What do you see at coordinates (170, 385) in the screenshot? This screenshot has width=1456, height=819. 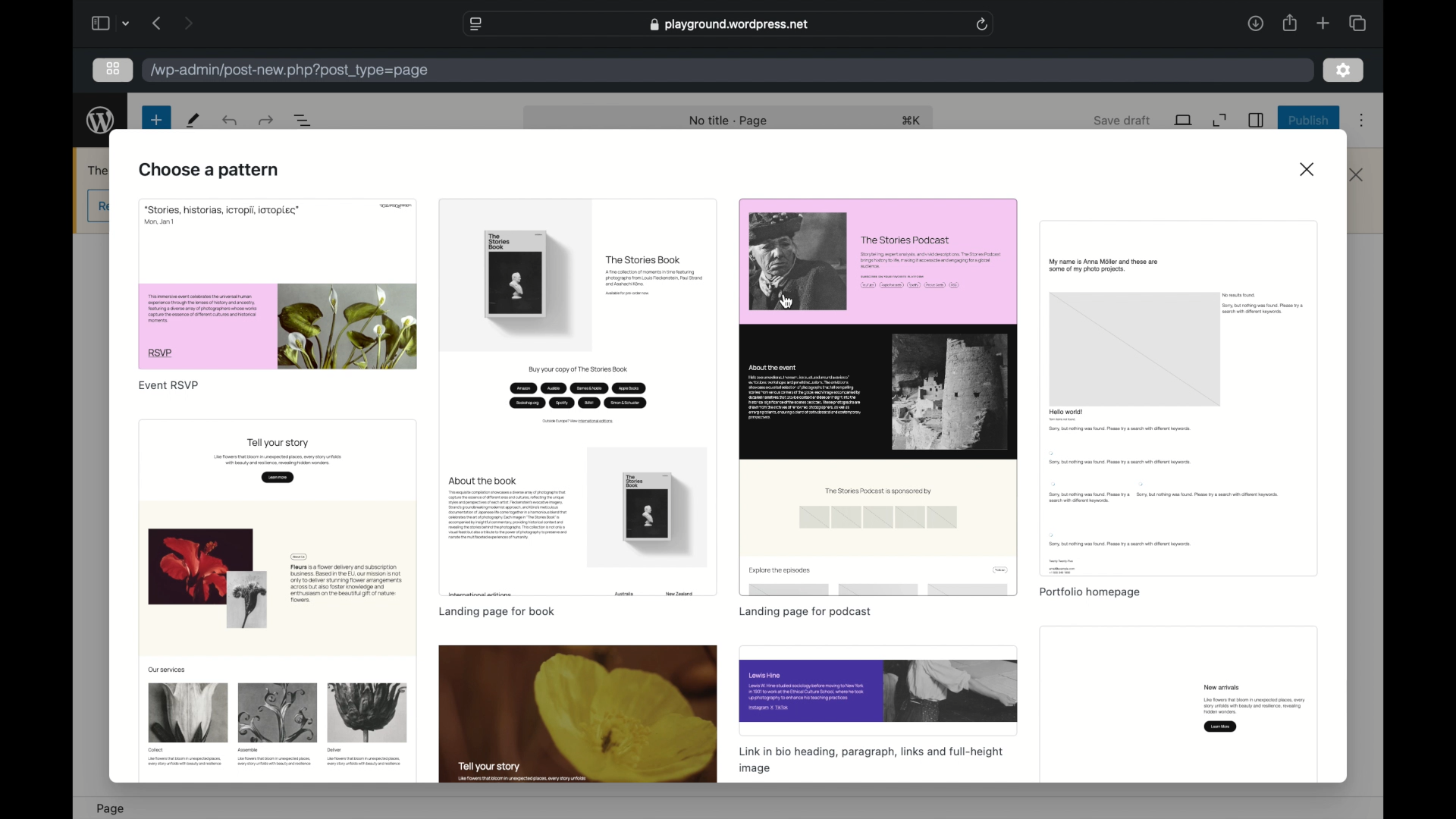 I see `event rsvp` at bounding box center [170, 385].